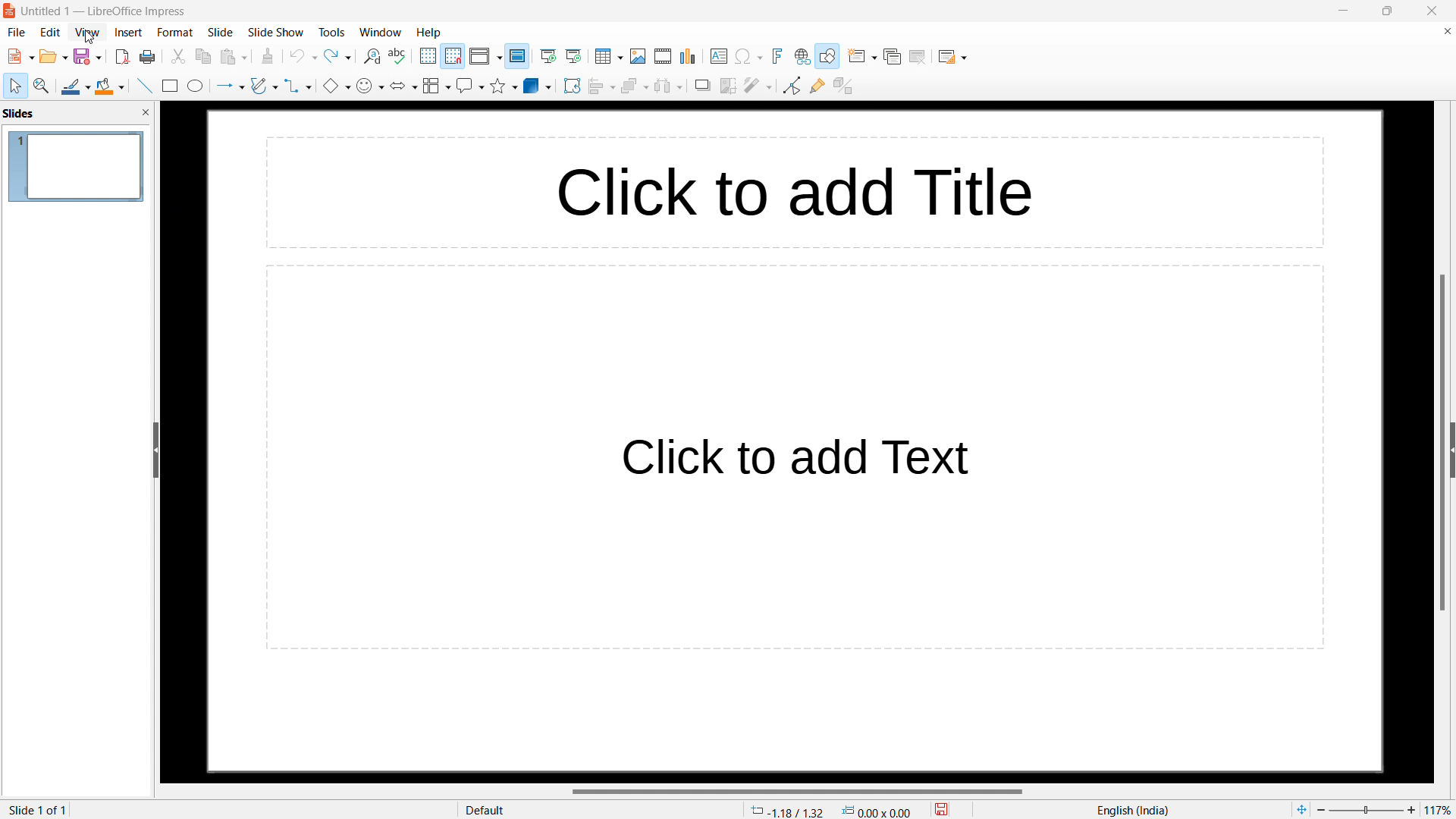 This screenshot has height=819, width=1456. I want to click on rotate, so click(572, 86).